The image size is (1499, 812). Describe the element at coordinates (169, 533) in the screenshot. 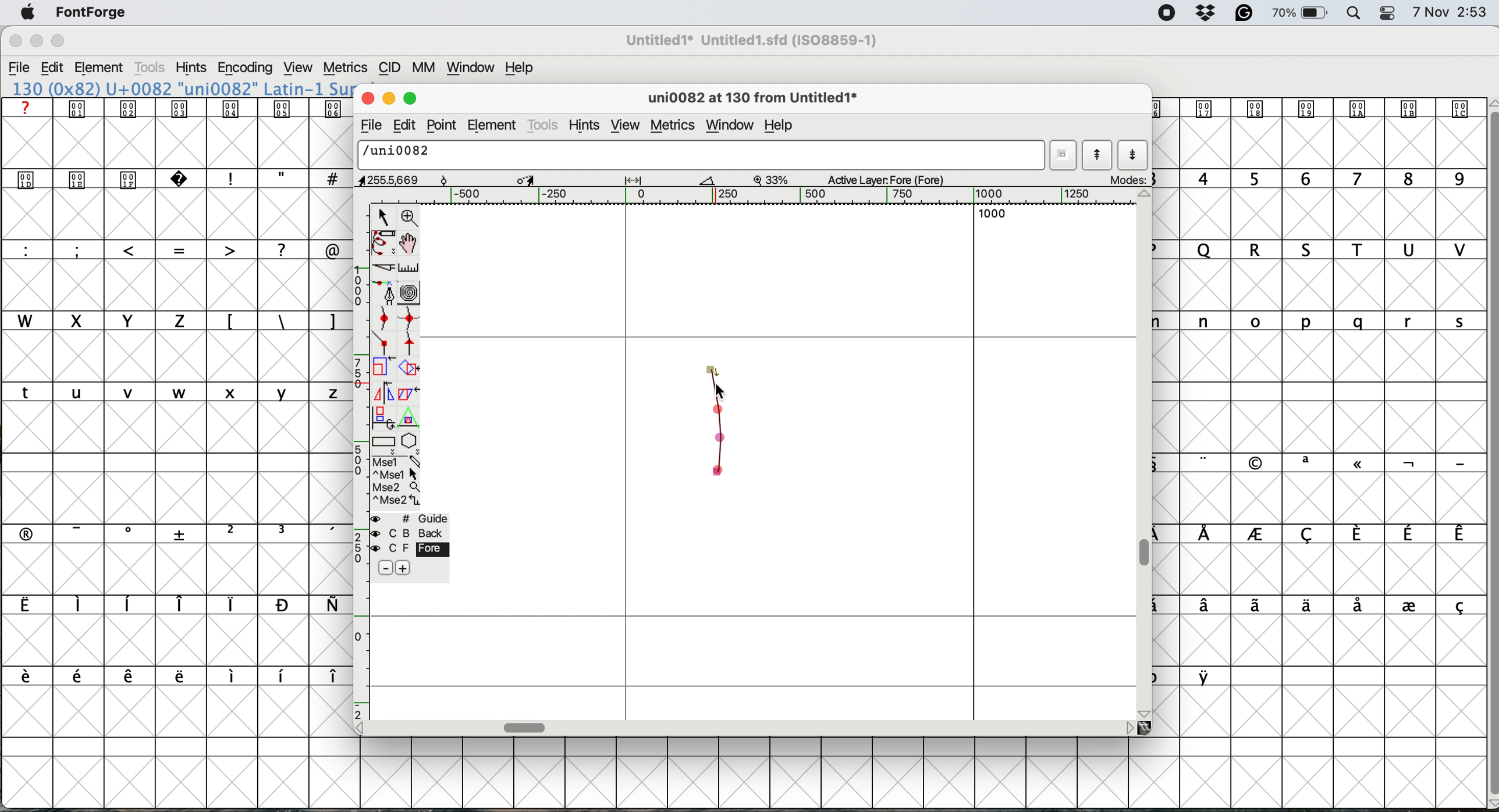

I see `special characters` at that location.